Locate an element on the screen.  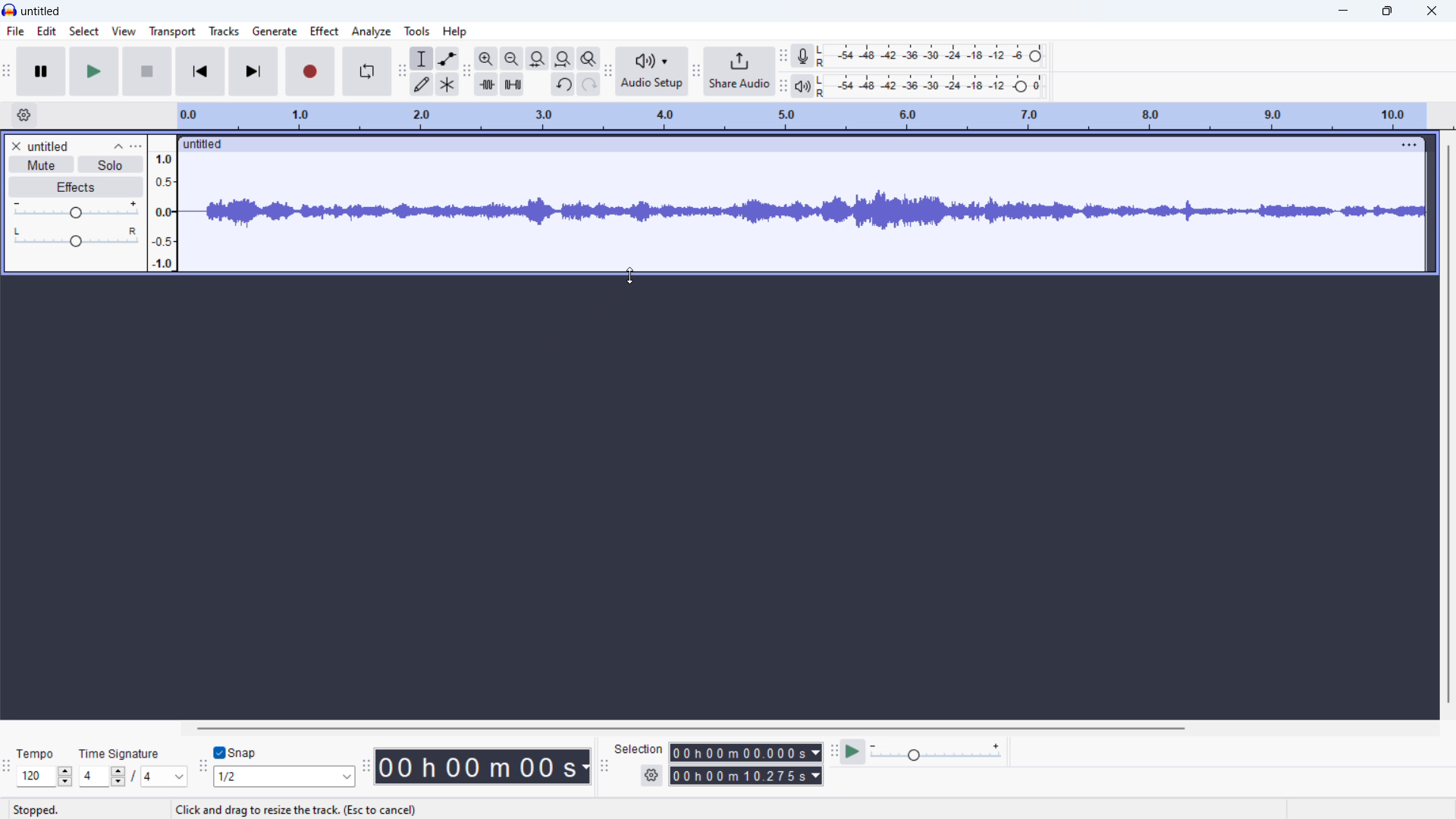
horizontal scrollbar is located at coordinates (689, 726).